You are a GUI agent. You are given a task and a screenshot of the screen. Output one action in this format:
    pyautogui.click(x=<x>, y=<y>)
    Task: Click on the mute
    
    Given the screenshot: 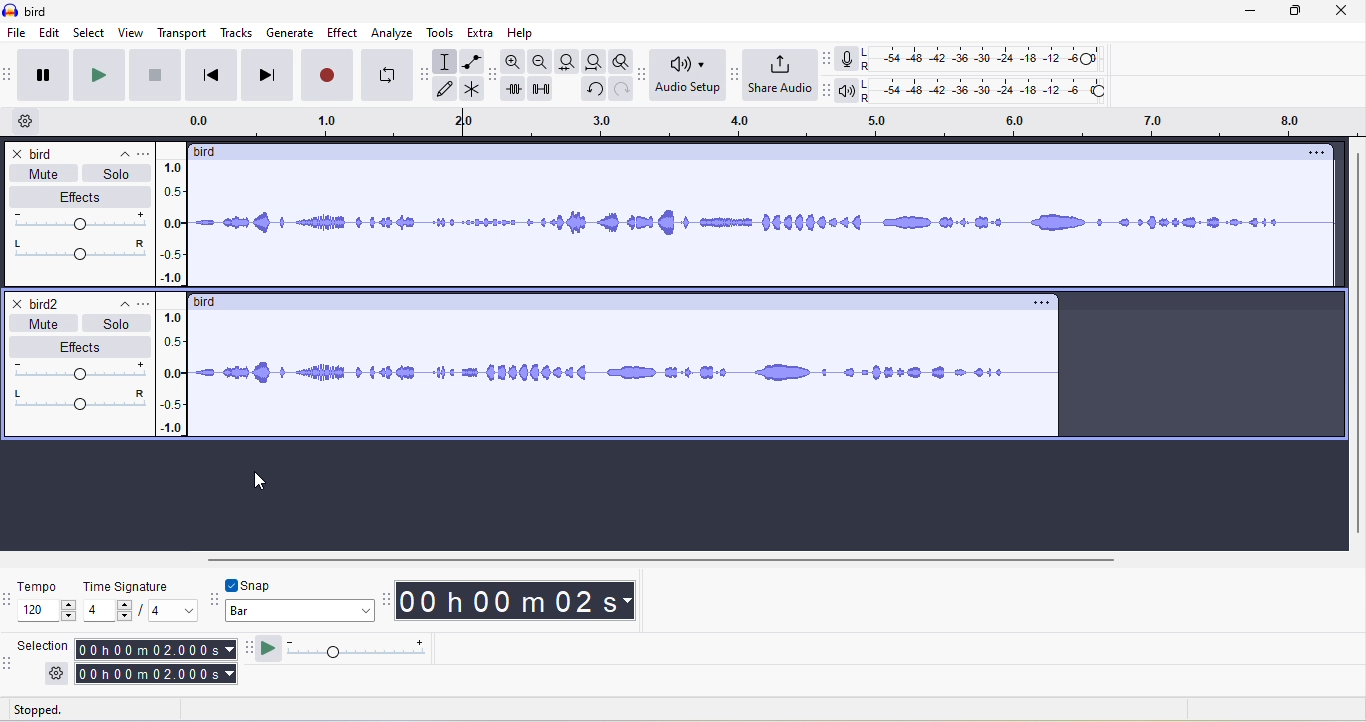 What is the action you would take?
    pyautogui.click(x=39, y=323)
    